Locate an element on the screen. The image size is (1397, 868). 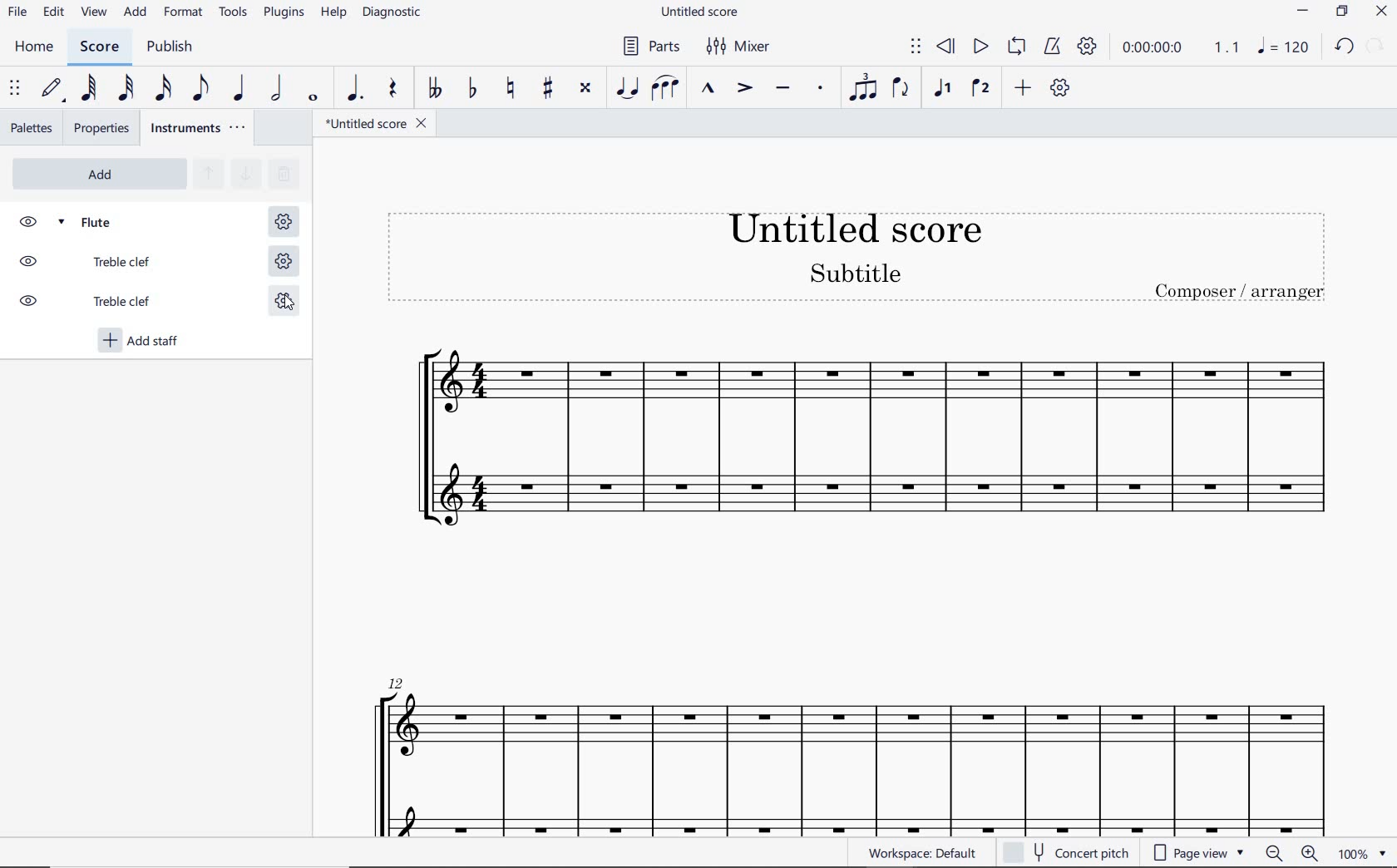
VOICE 1 is located at coordinates (941, 90).